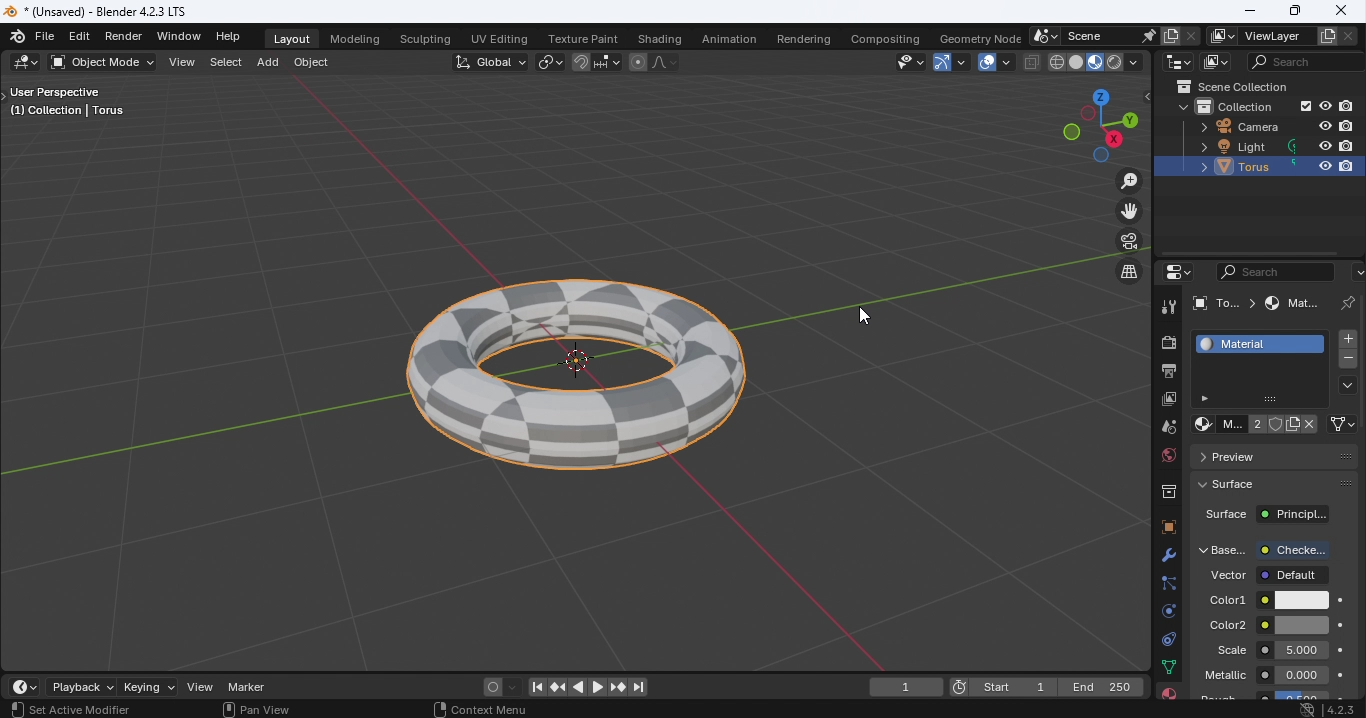 The height and width of the screenshot is (718, 1366). I want to click on Constraints, so click(1168, 637).